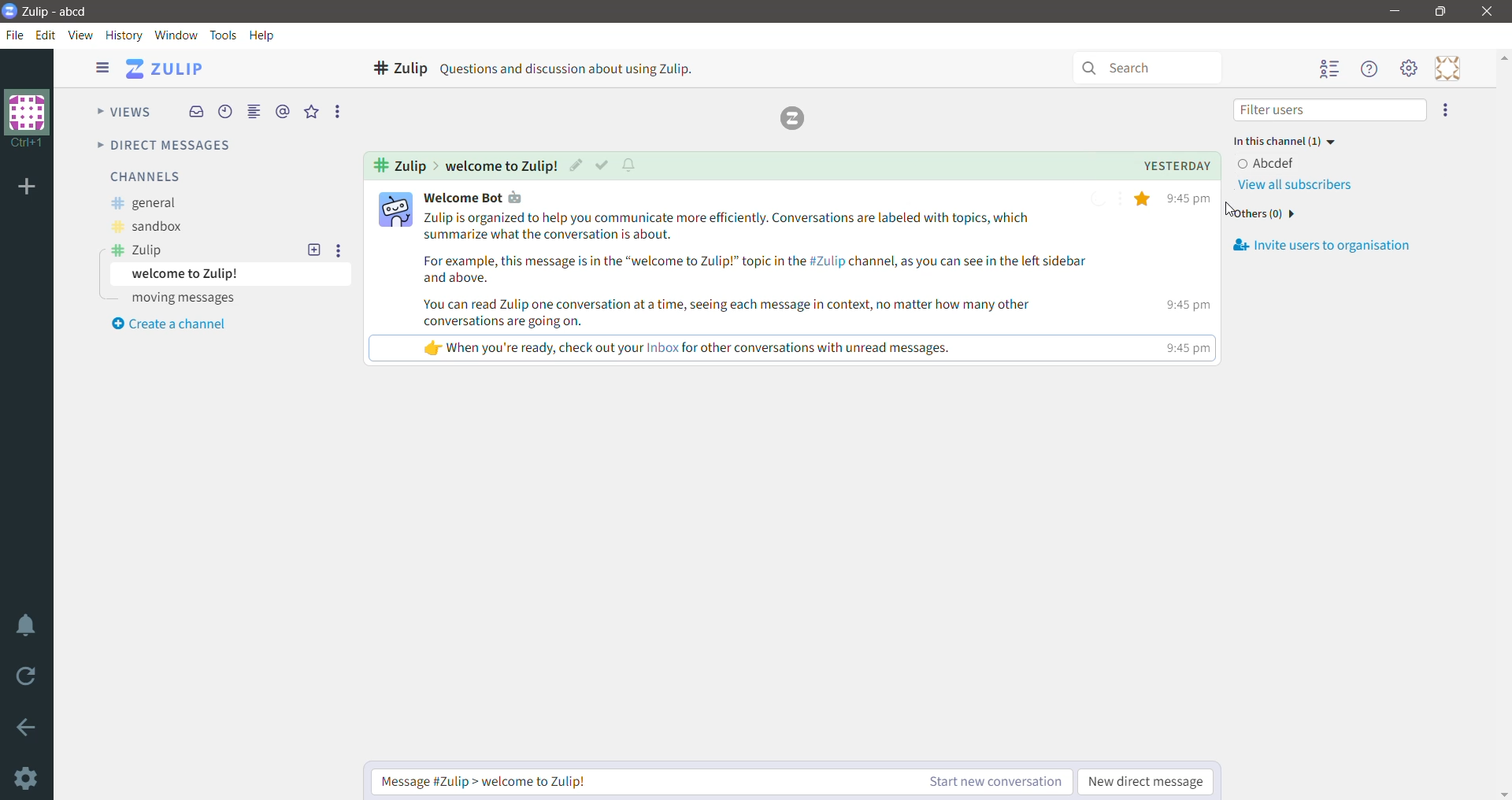 The height and width of the screenshot is (800, 1512). Describe the element at coordinates (1450, 68) in the screenshot. I see `Personal Menu` at that location.